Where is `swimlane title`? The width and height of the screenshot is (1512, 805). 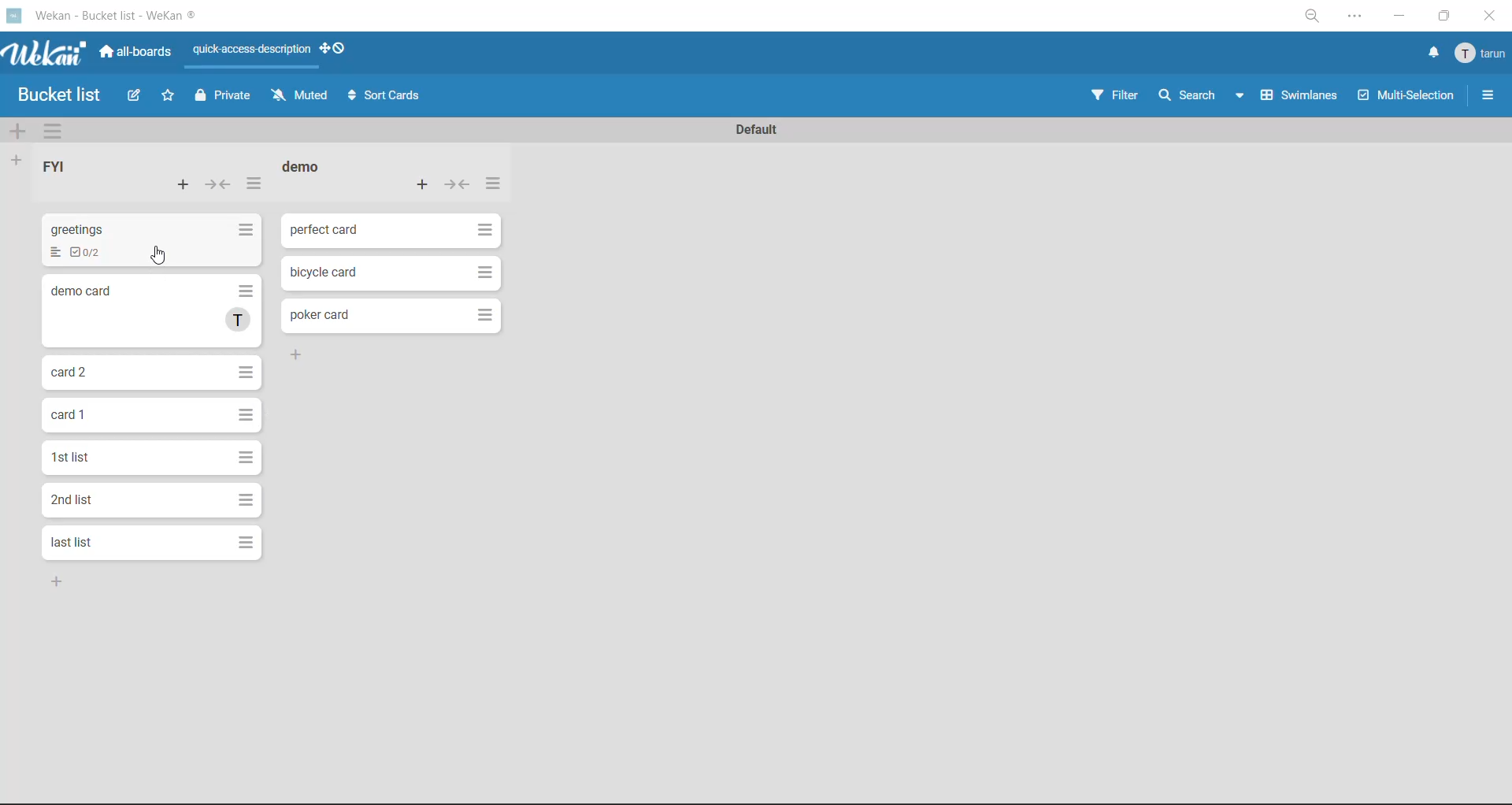
swimlane title is located at coordinates (758, 131).